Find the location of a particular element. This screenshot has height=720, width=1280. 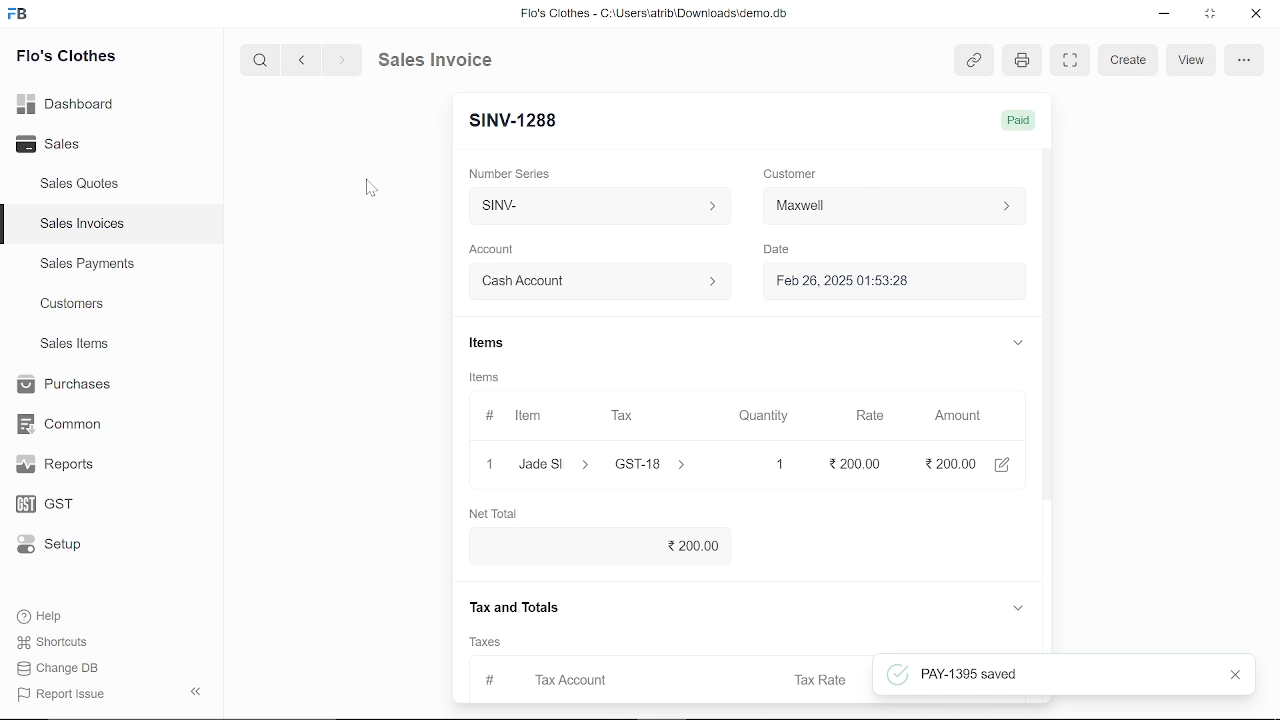

Tax Account is located at coordinates (601, 678).